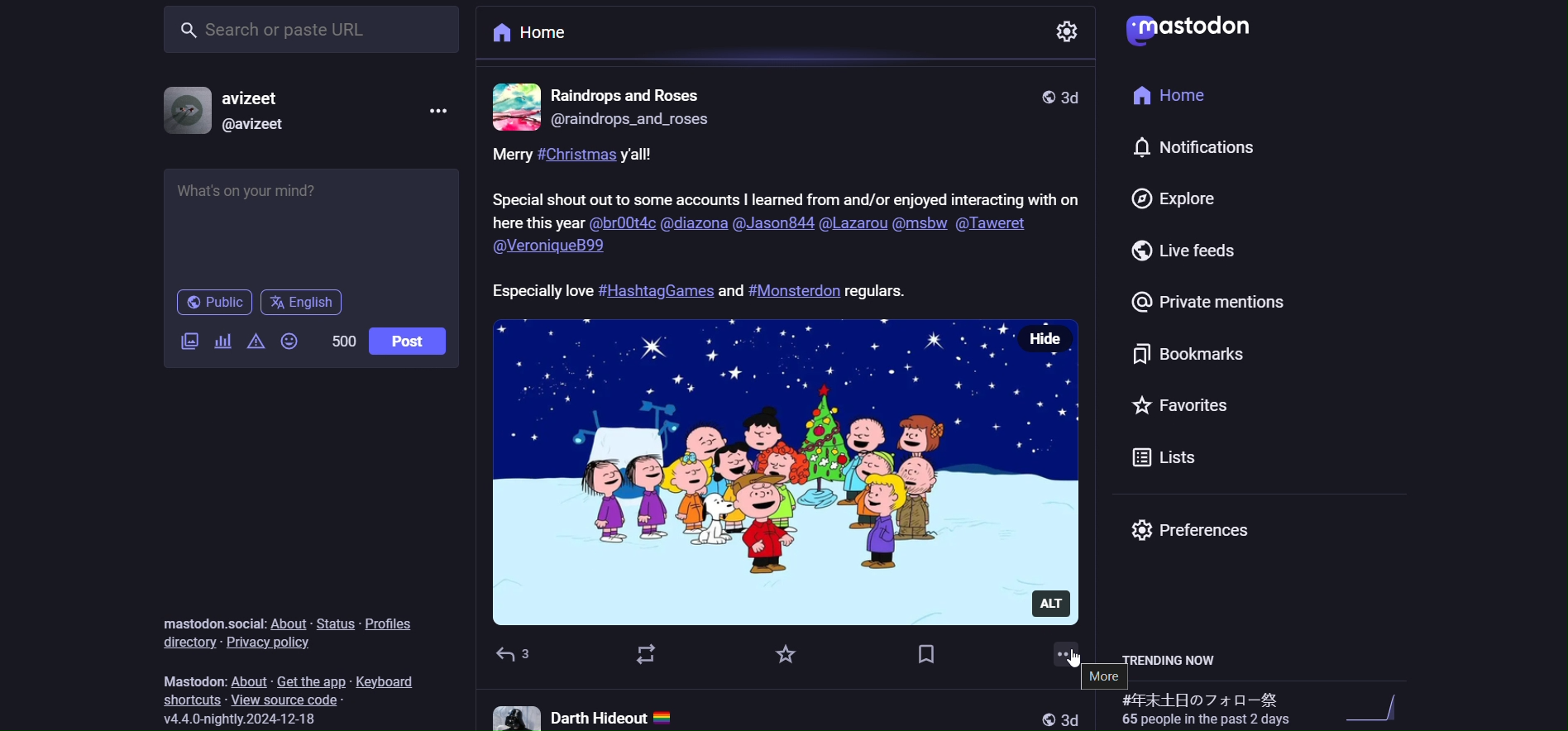 This screenshot has height=731, width=1568. What do you see at coordinates (414, 339) in the screenshot?
I see `post` at bounding box center [414, 339].